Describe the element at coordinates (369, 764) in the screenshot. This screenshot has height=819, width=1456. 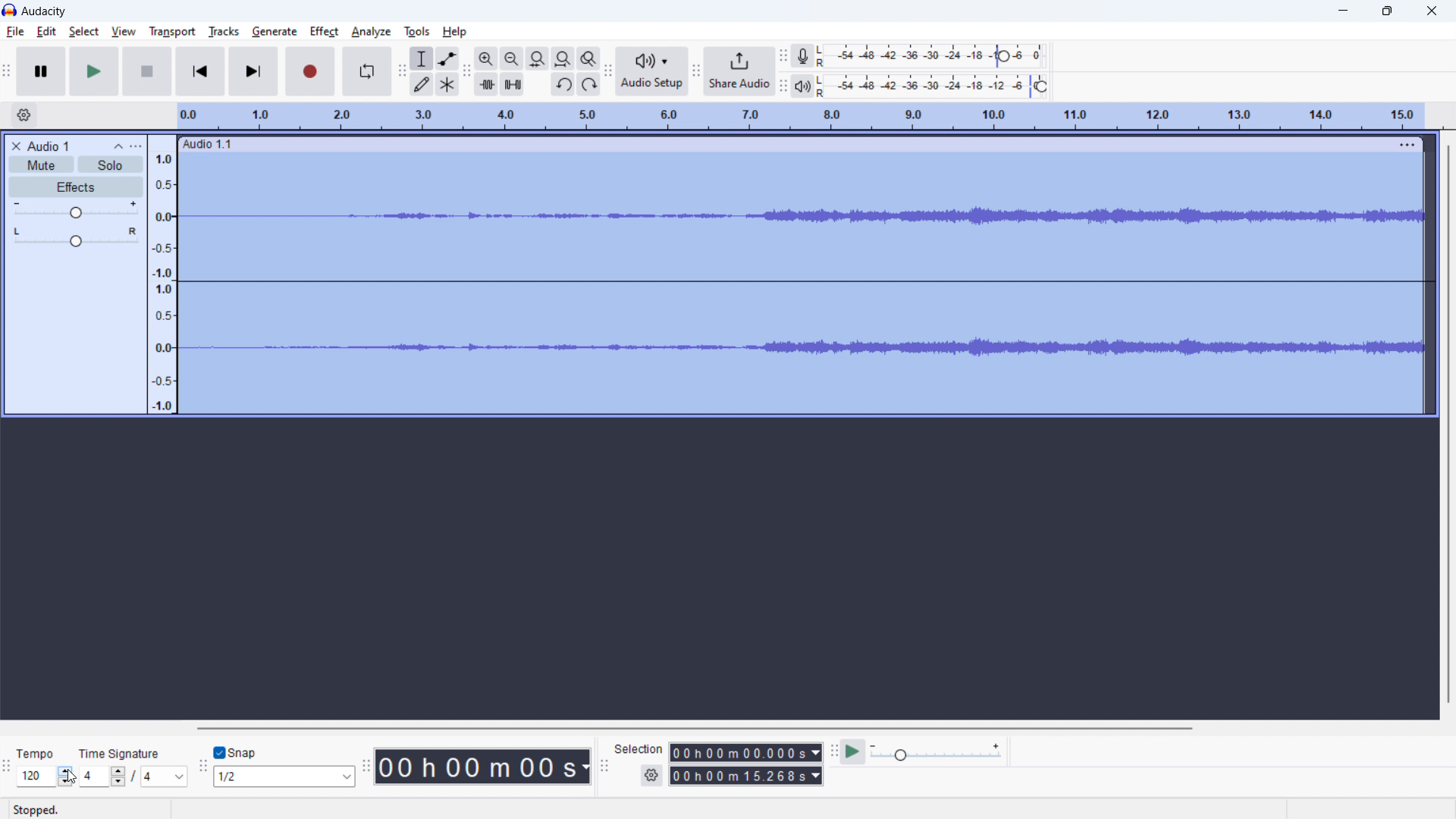
I see `time toolbar` at that location.